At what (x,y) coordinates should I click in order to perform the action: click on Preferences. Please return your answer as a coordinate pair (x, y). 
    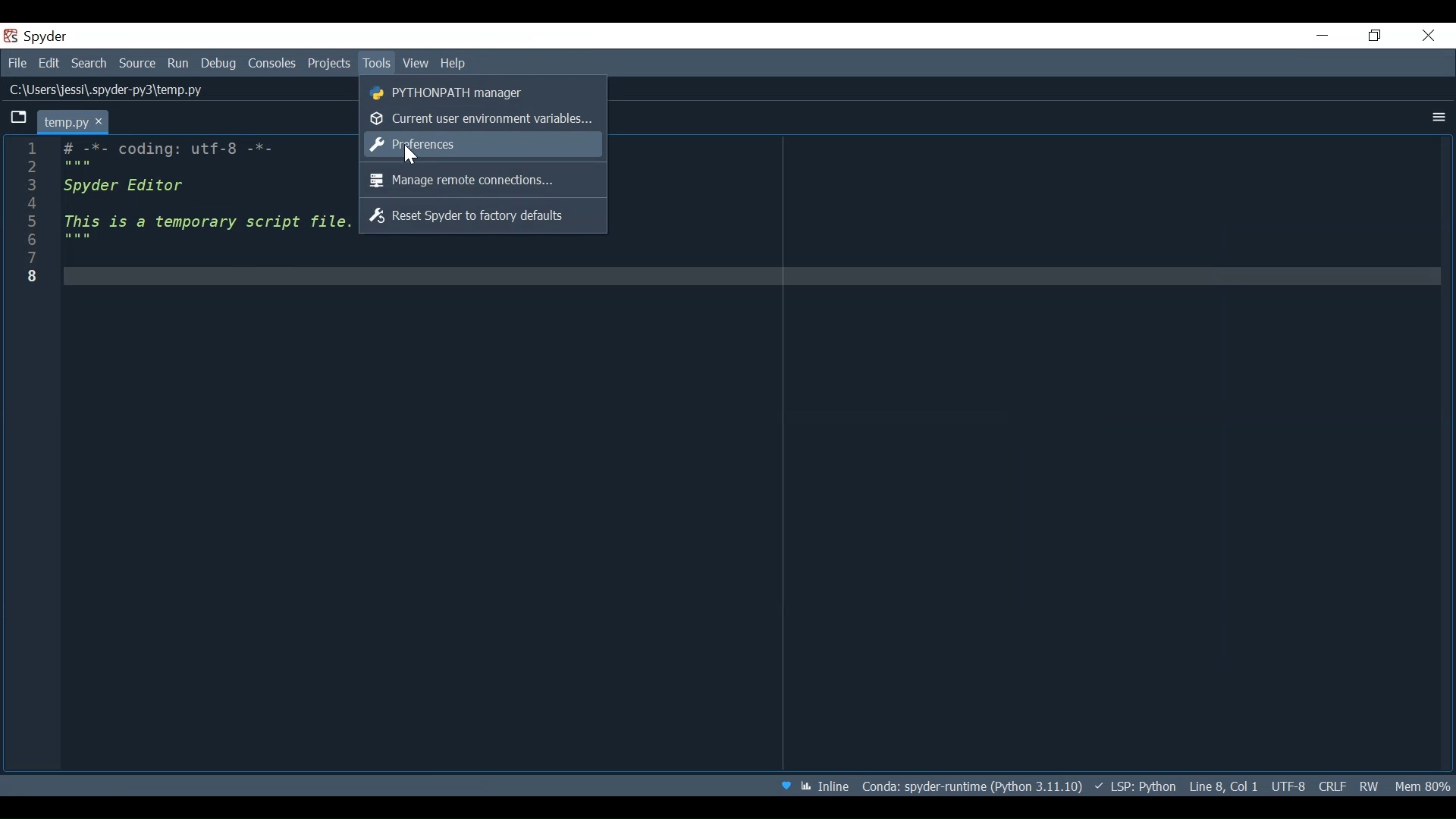
    Looking at the image, I should click on (476, 144).